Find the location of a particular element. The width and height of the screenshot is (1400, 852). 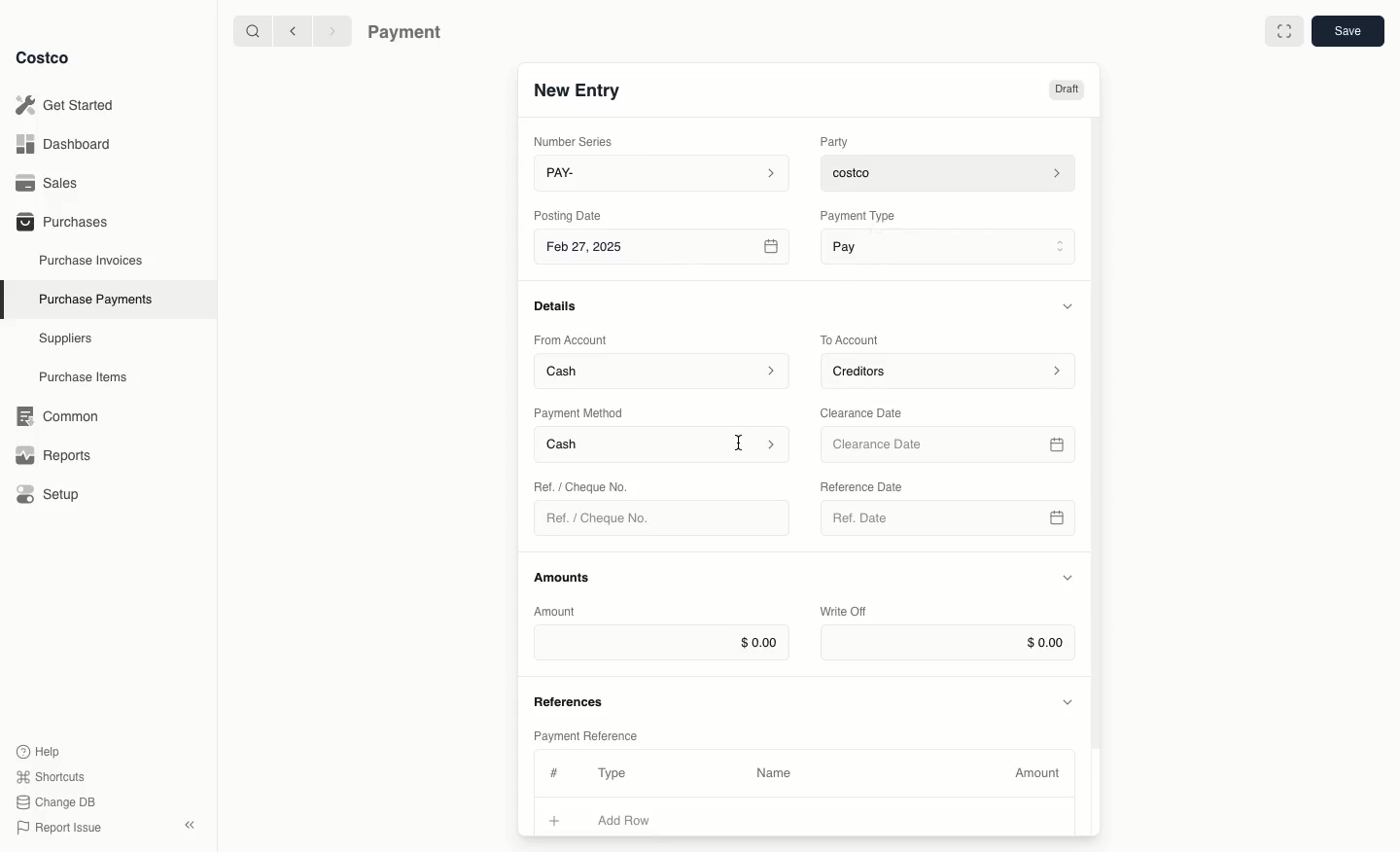

Reports is located at coordinates (51, 452).